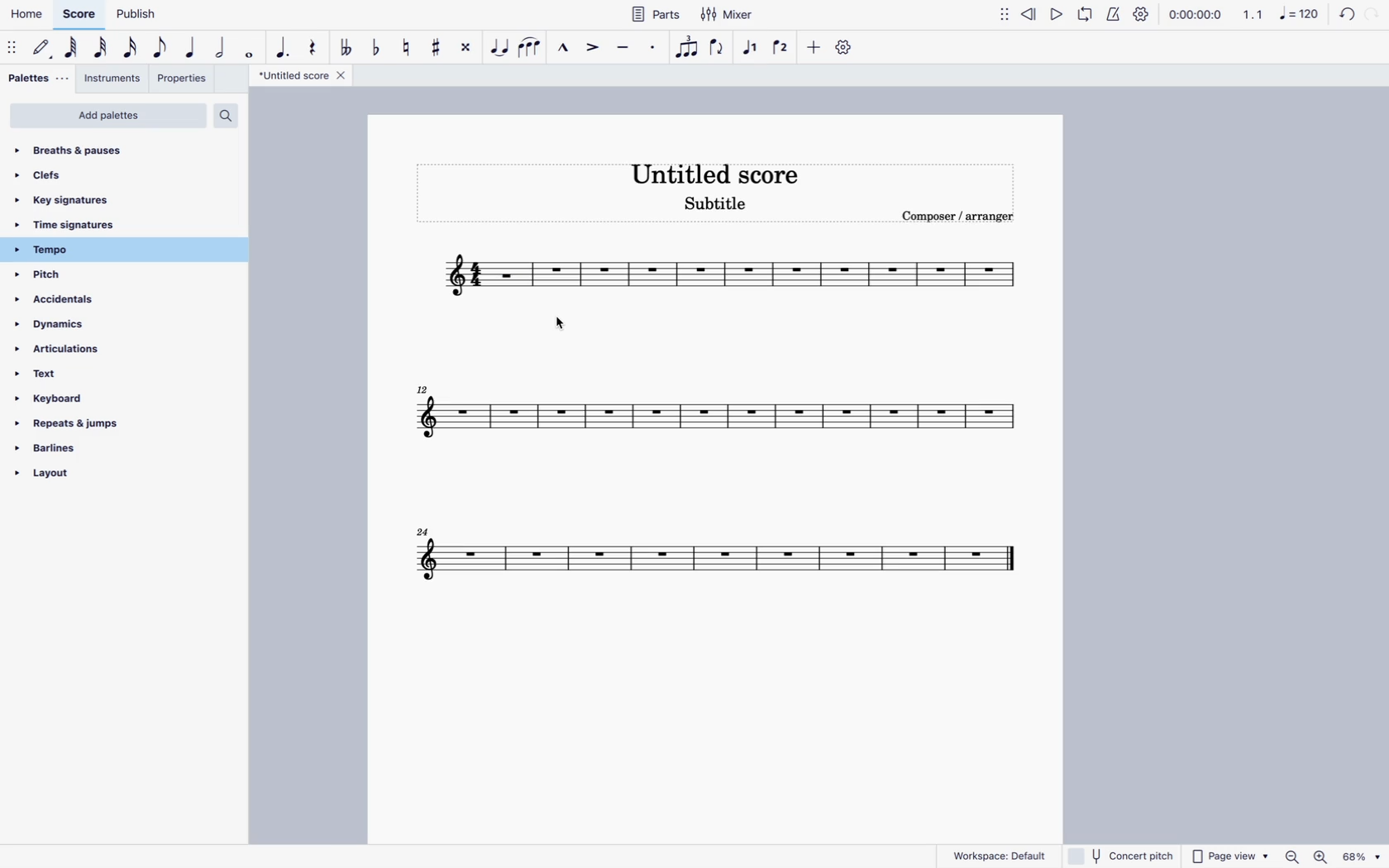  Describe the element at coordinates (715, 557) in the screenshot. I see `score` at that location.